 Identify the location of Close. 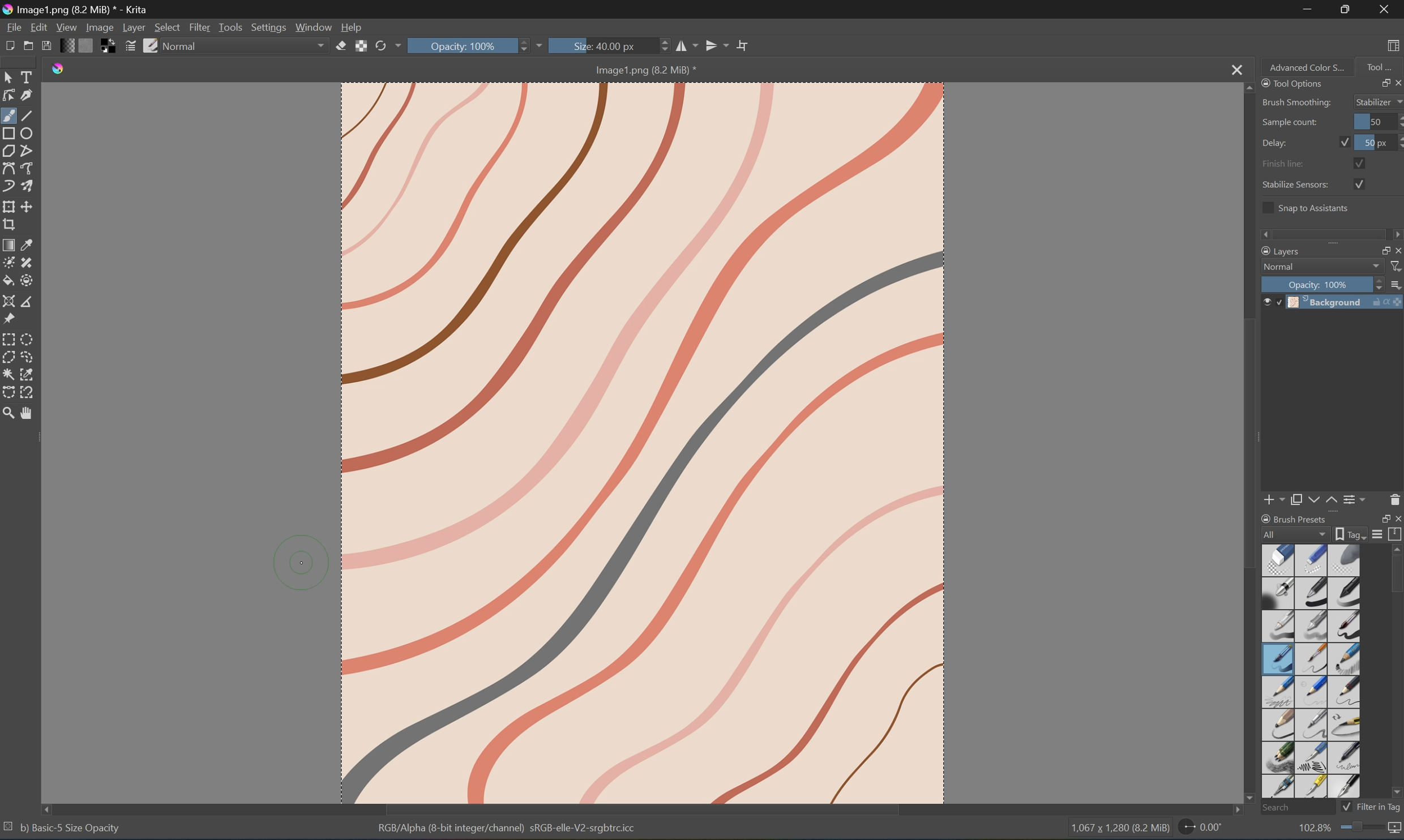
(1234, 70).